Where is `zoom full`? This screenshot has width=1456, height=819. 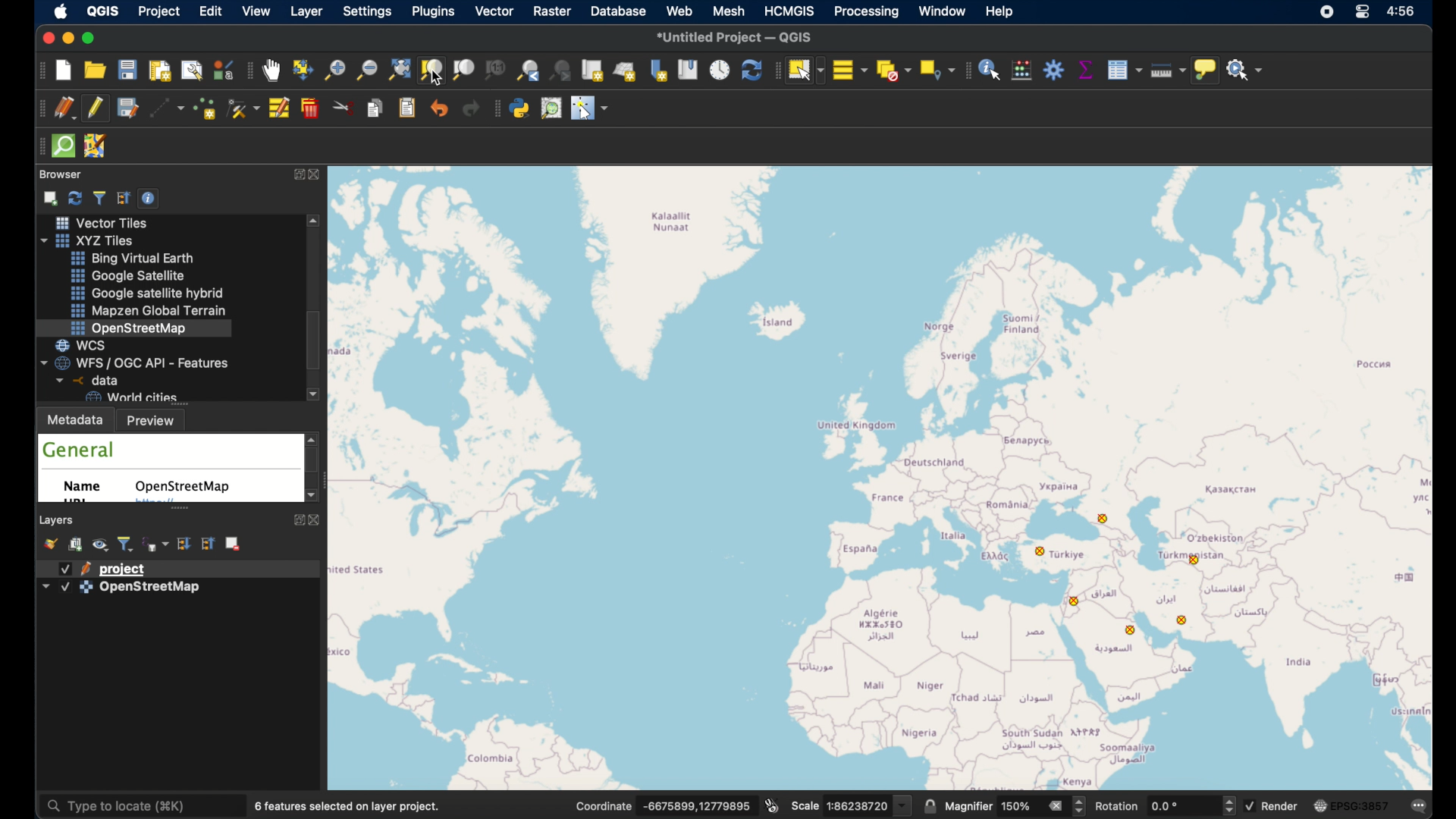 zoom full is located at coordinates (398, 69).